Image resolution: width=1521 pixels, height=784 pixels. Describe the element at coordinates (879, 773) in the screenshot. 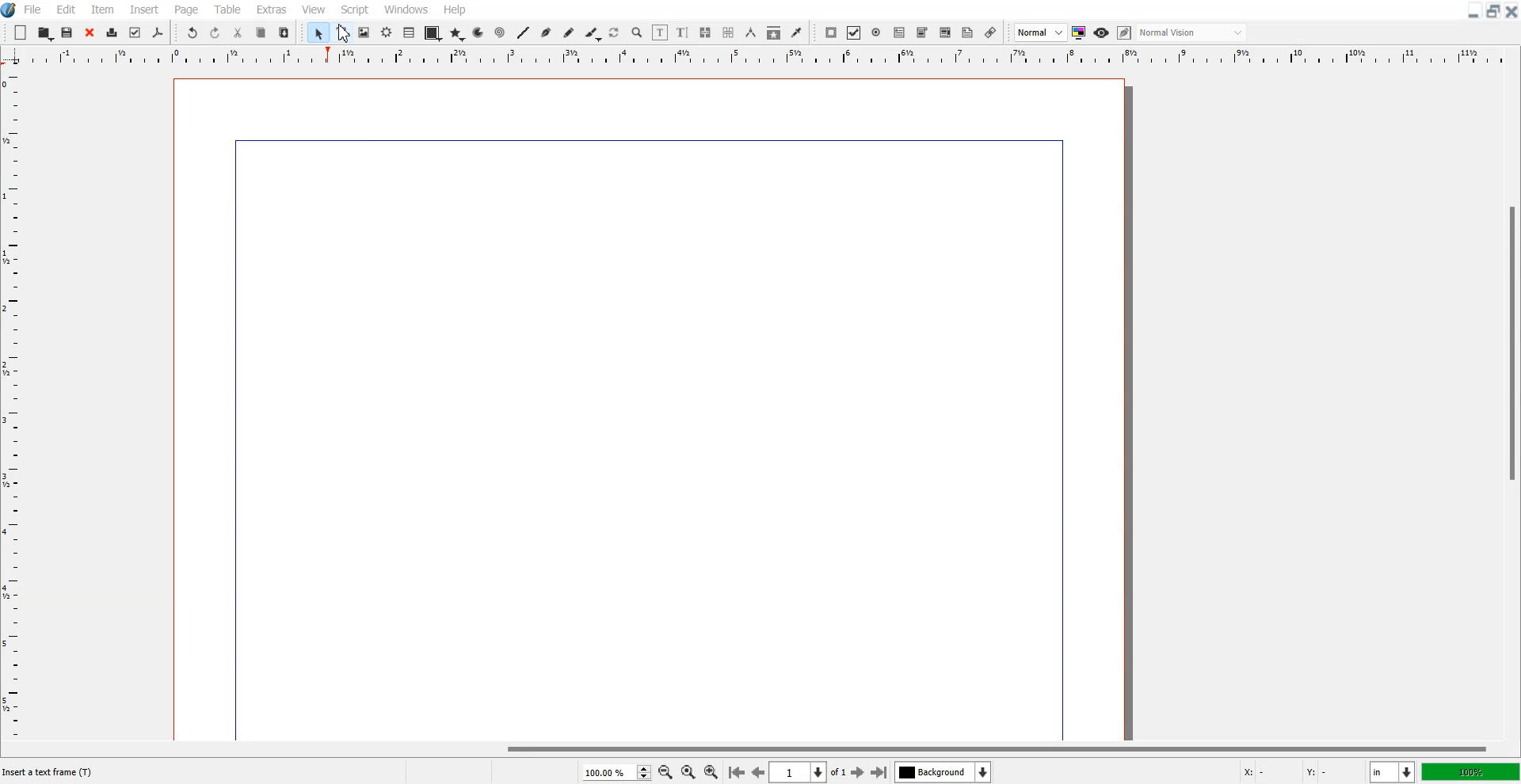

I see `Go to Last Page` at that location.